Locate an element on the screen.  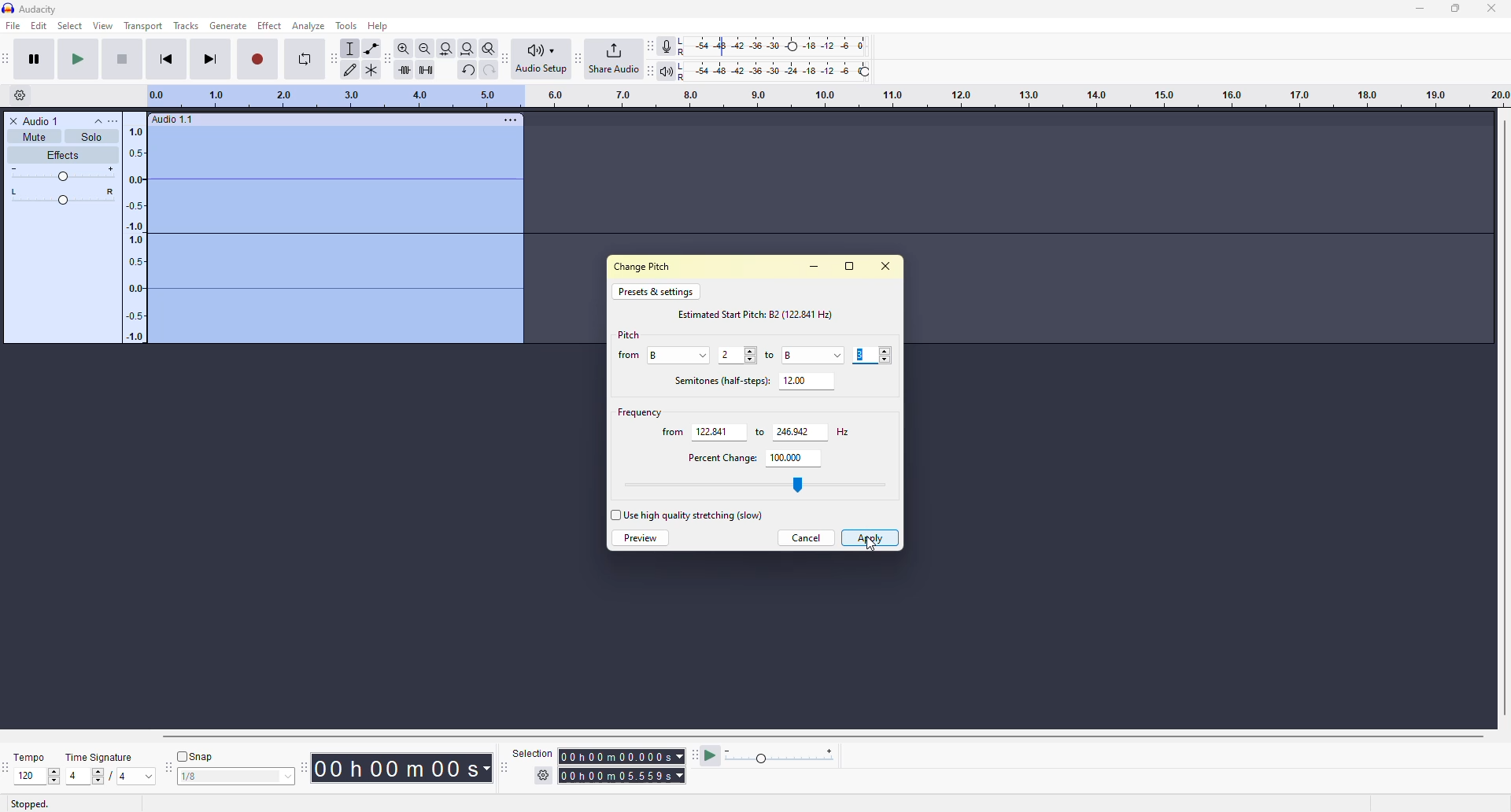
selection tool is located at coordinates (351, 49).